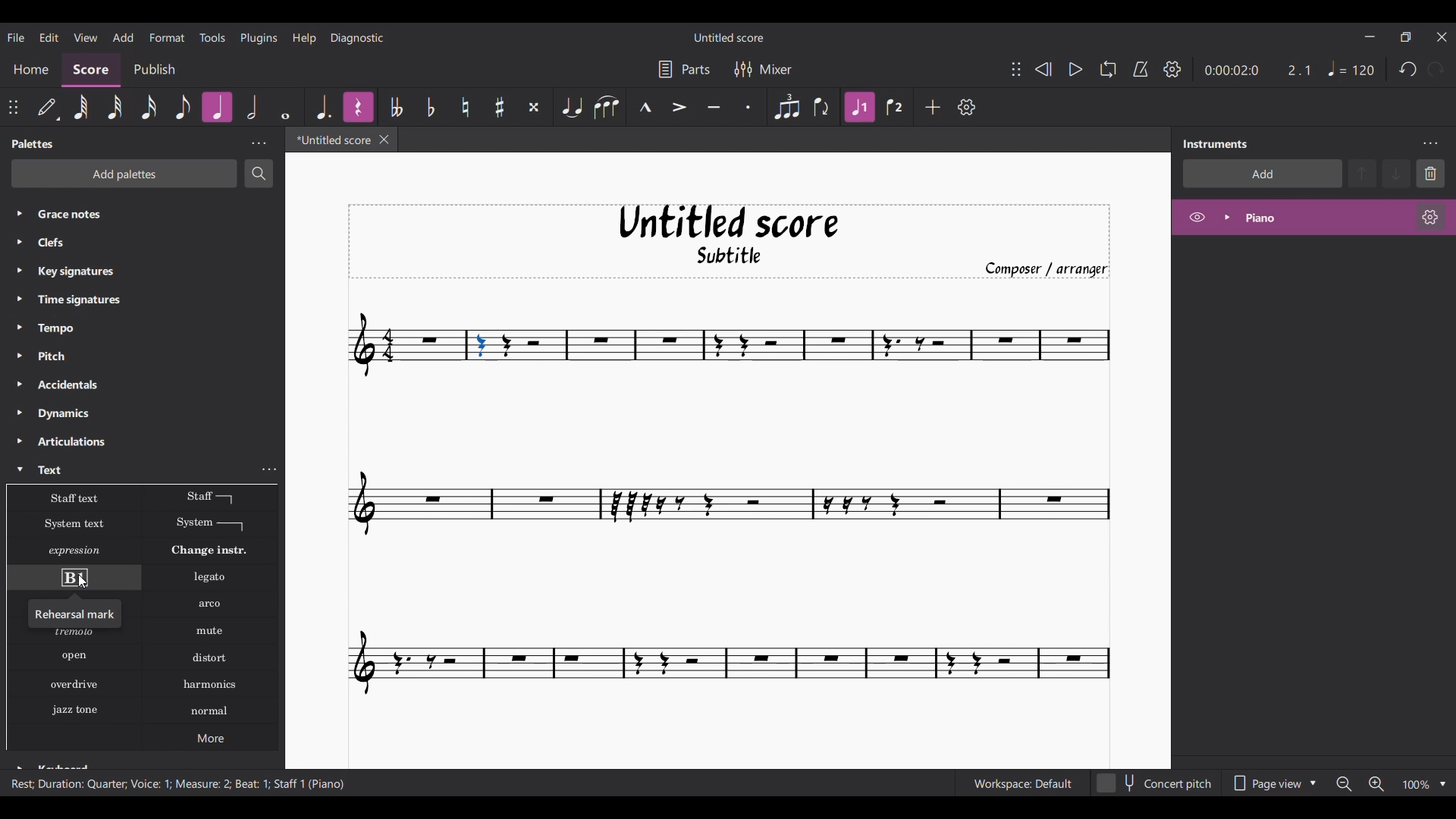  Describe the element at coordinates (259, 38) in the screenshot. I see `Plugins menu` at that location.